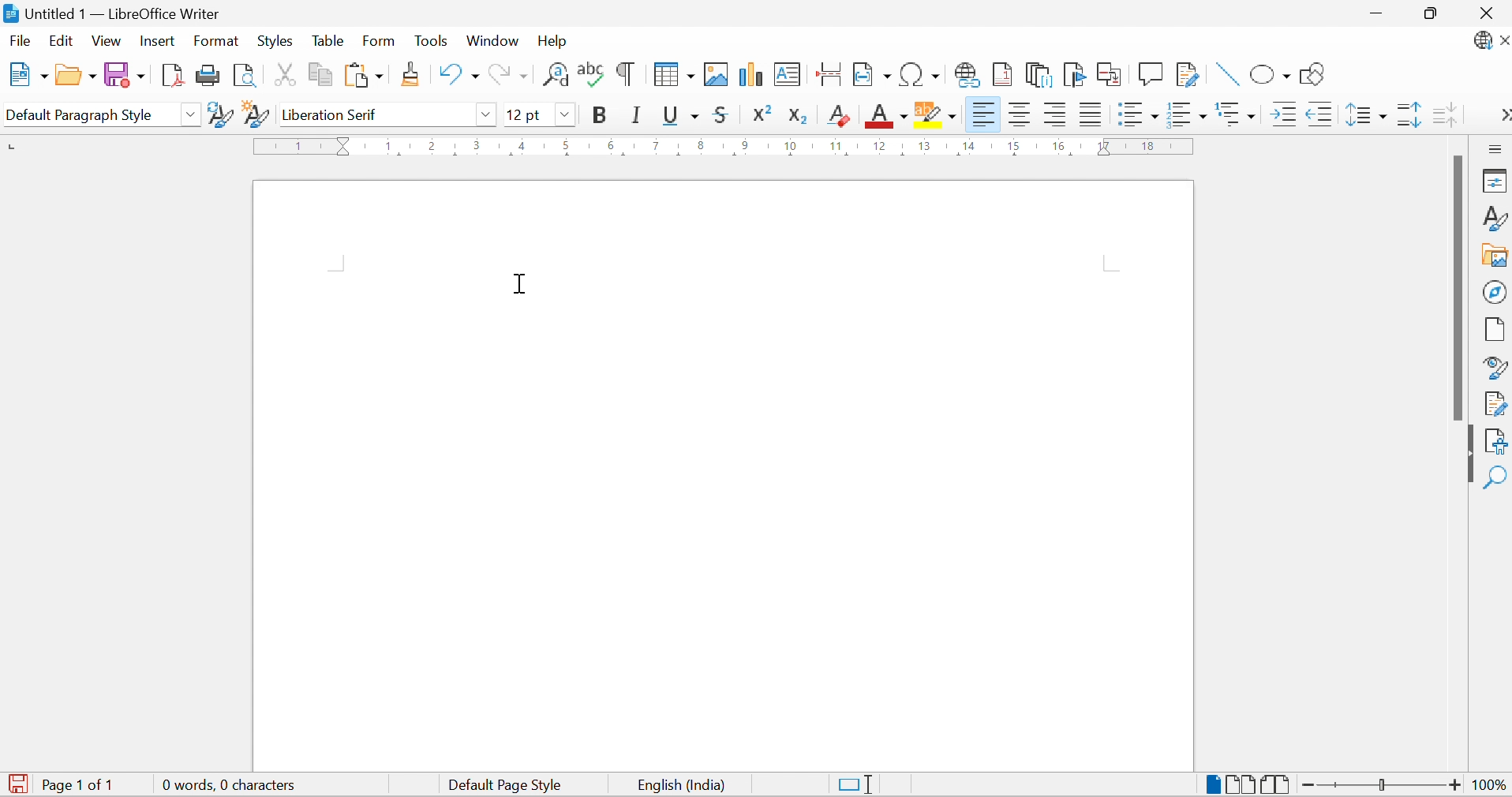 This screenshot has height=797, width=1512. What do you see at coordinates (680, 117) in the screenshot?
I see `Underline` at bounding box center [680, 117].